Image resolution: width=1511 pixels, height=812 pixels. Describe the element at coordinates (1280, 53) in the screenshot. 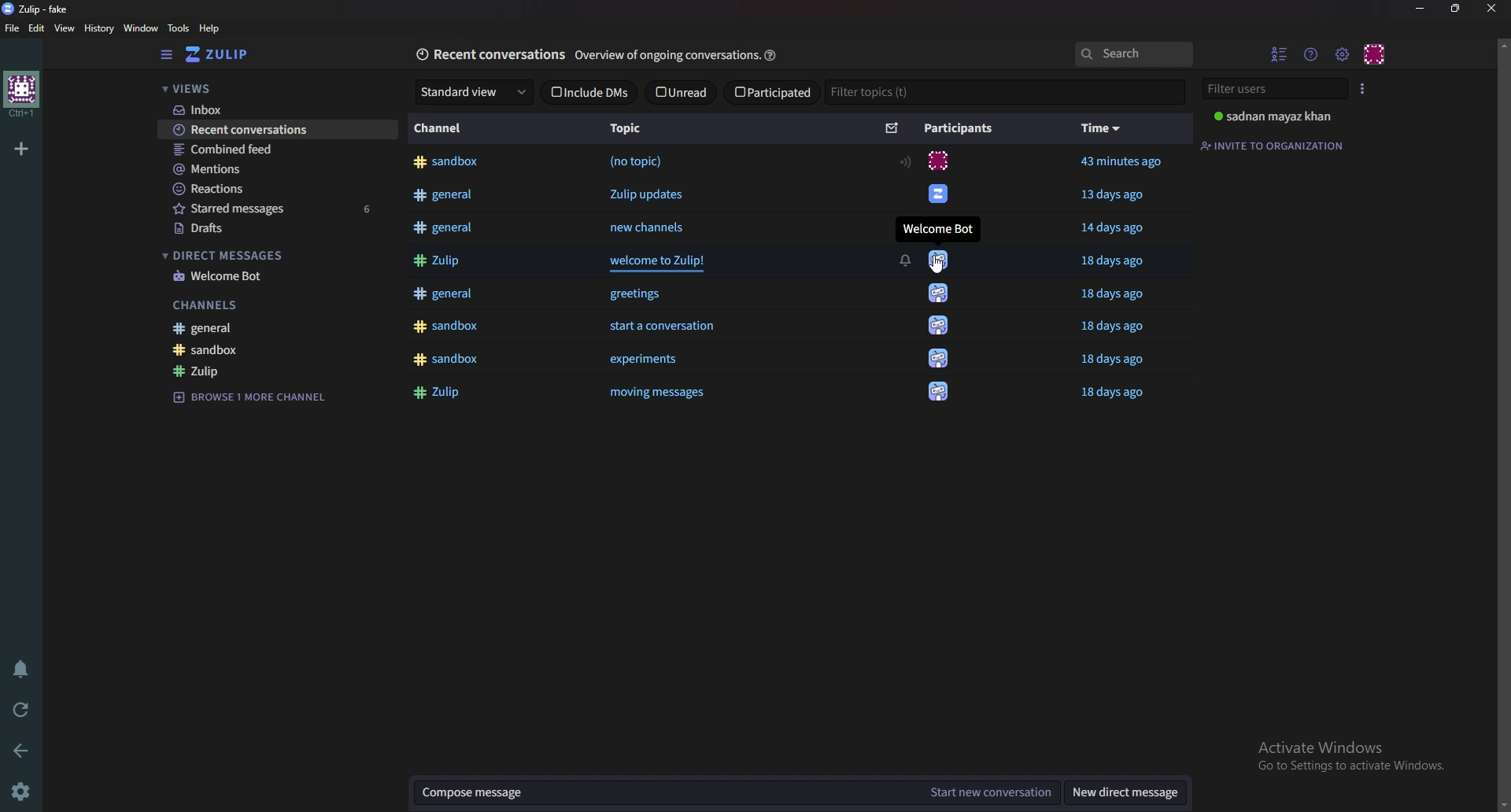

I see `Hide user list` at that location.